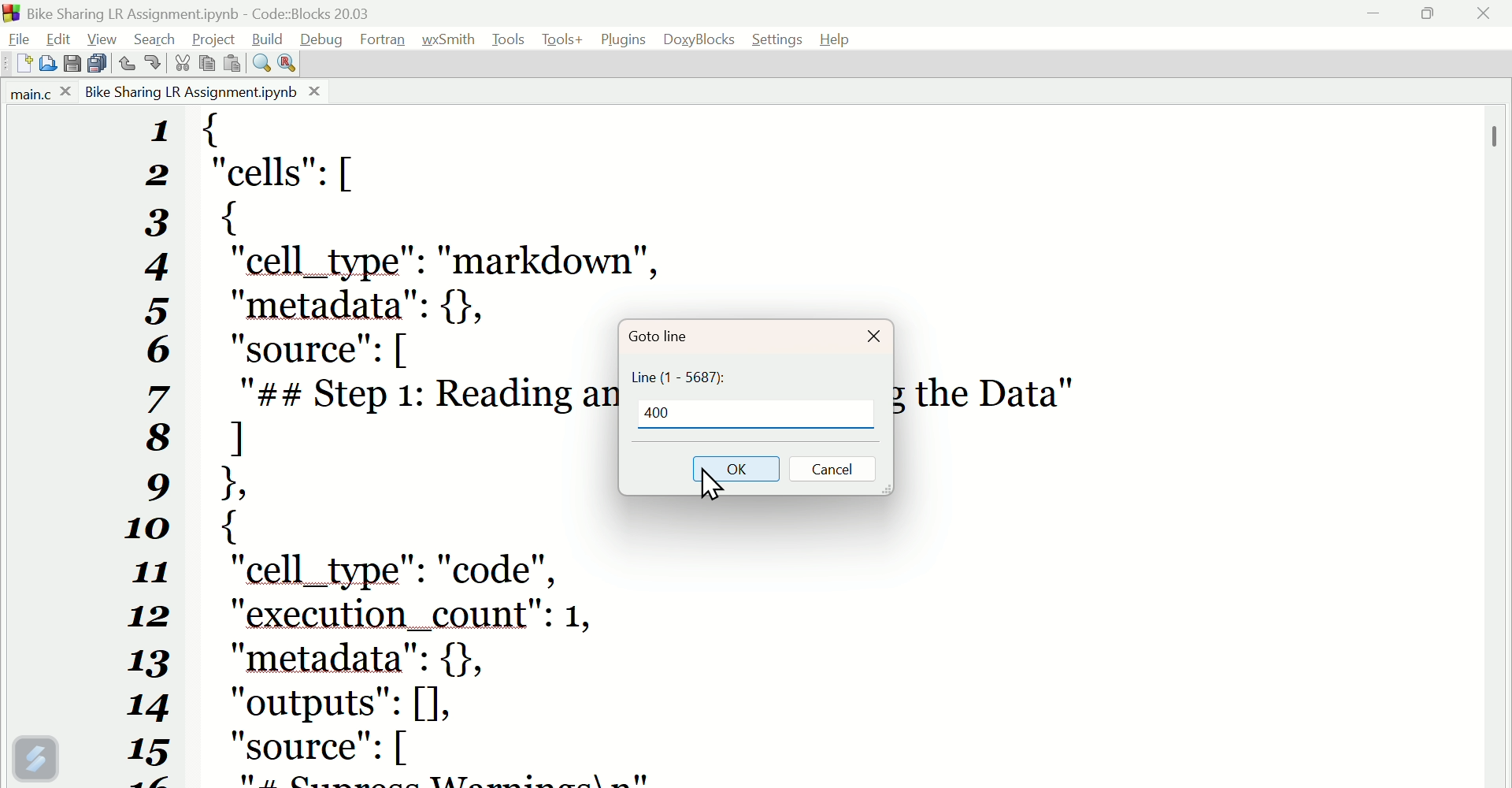 The height and width of the screenshot is (788, 1512). Describe the element at coordinates (712, 491) in the screenshot. I see `Cursor` at that location.